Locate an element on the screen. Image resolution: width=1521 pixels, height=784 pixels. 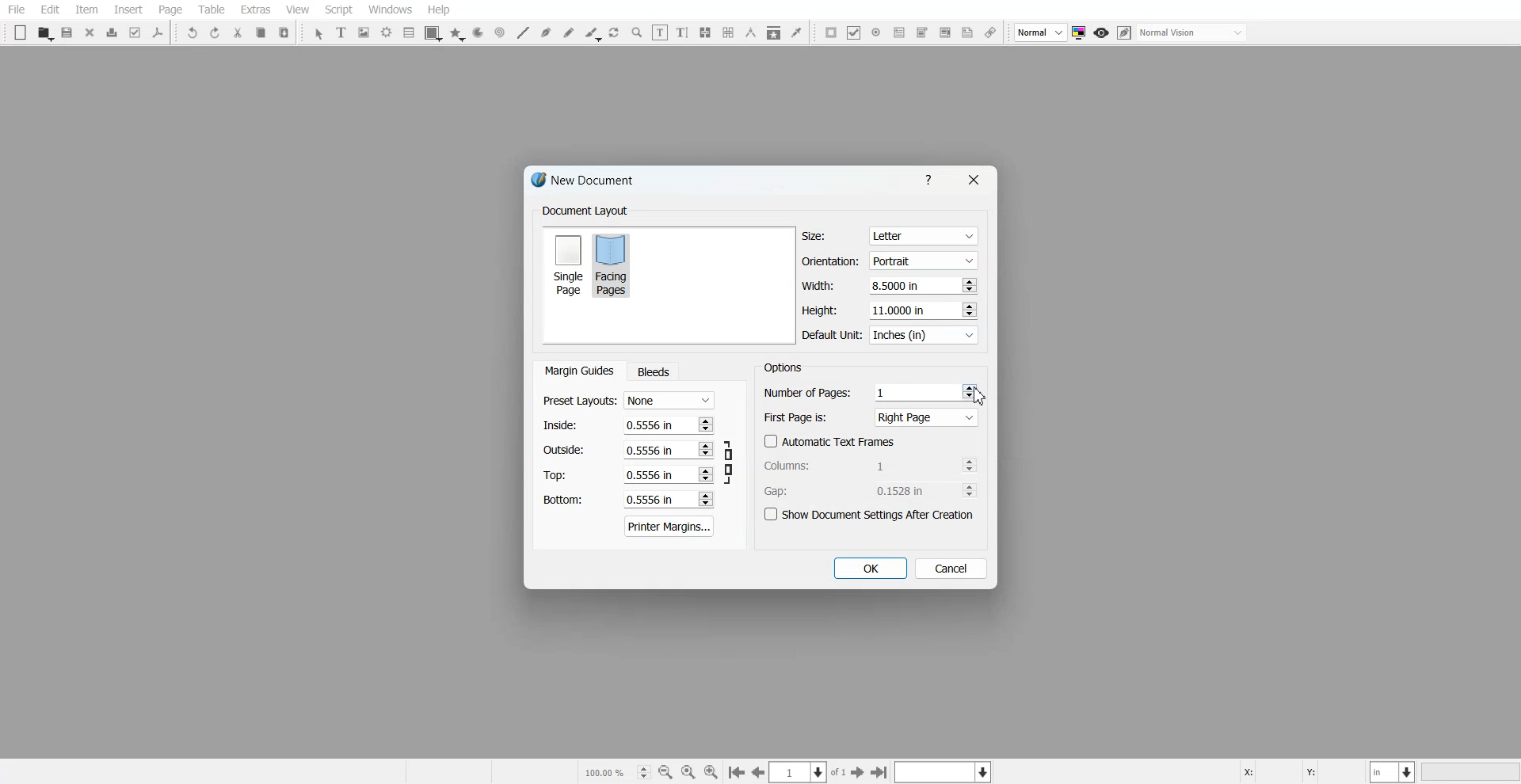
Select image preview Quality is located at coordinates (1041, 32).